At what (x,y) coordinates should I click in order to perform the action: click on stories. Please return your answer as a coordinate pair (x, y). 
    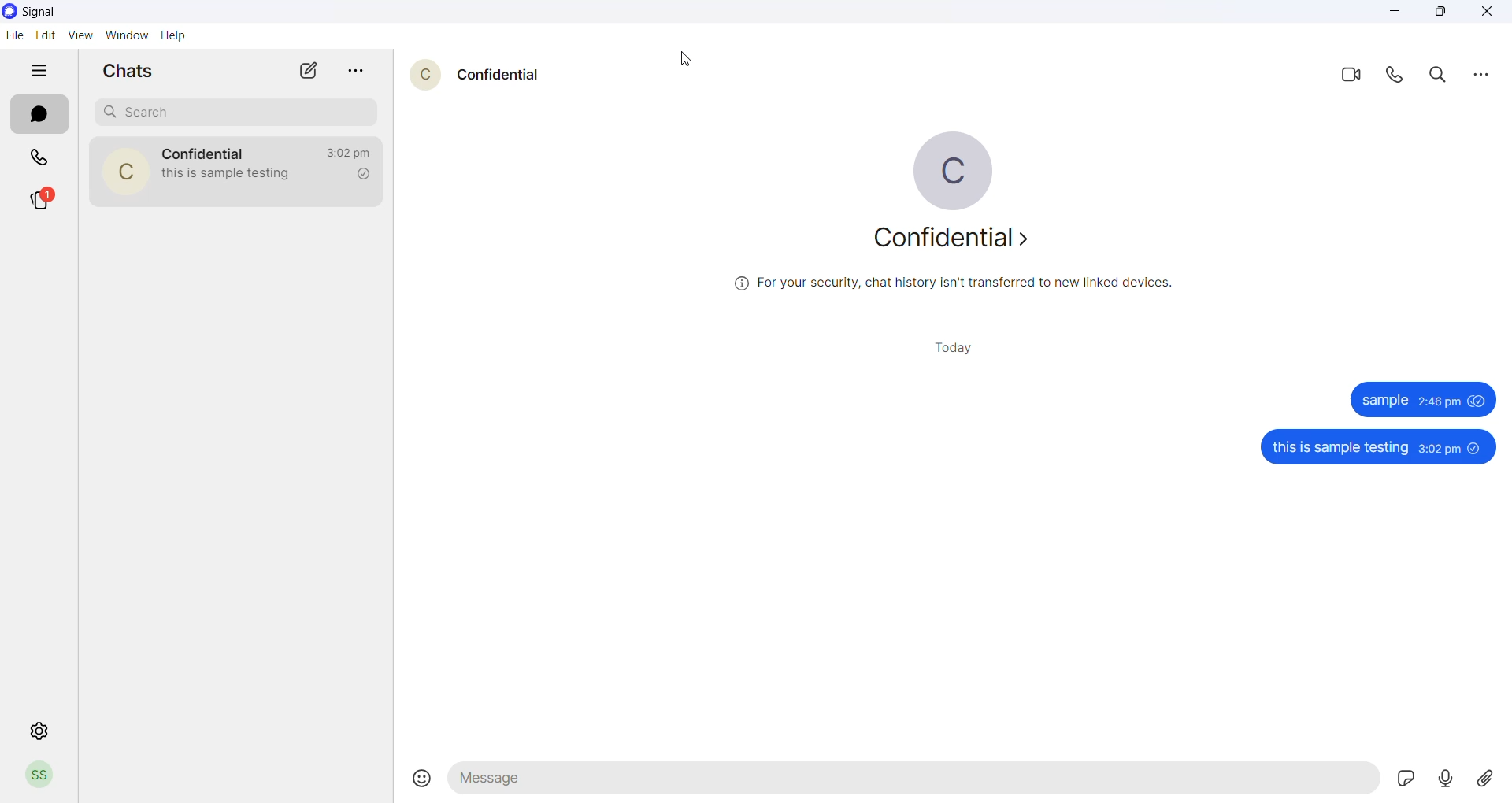
    Looking at the image, I should click on (46, 201).